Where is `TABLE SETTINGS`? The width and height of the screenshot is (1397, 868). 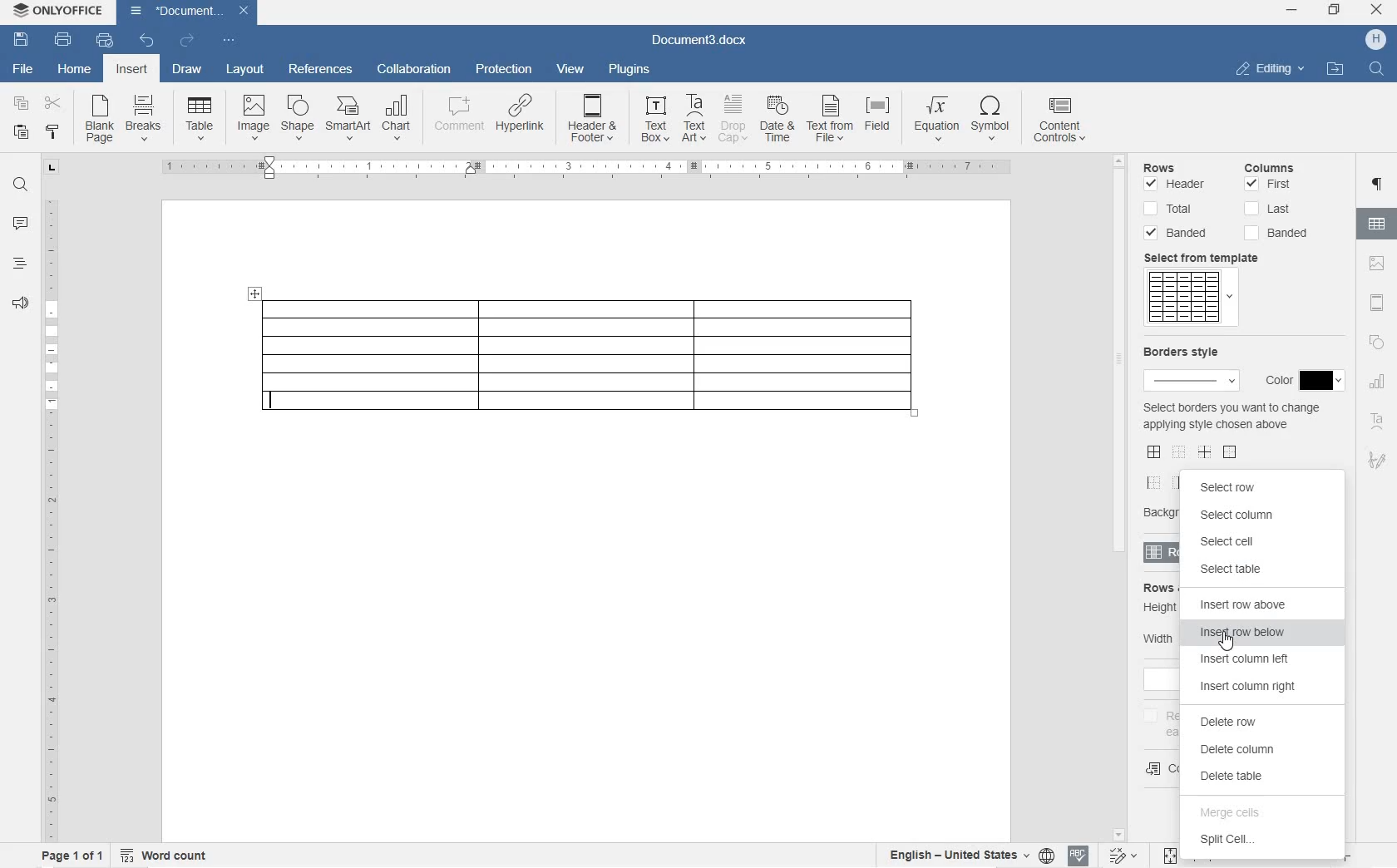 TABLE SETTINGS is located at coordinates (1377, 224).